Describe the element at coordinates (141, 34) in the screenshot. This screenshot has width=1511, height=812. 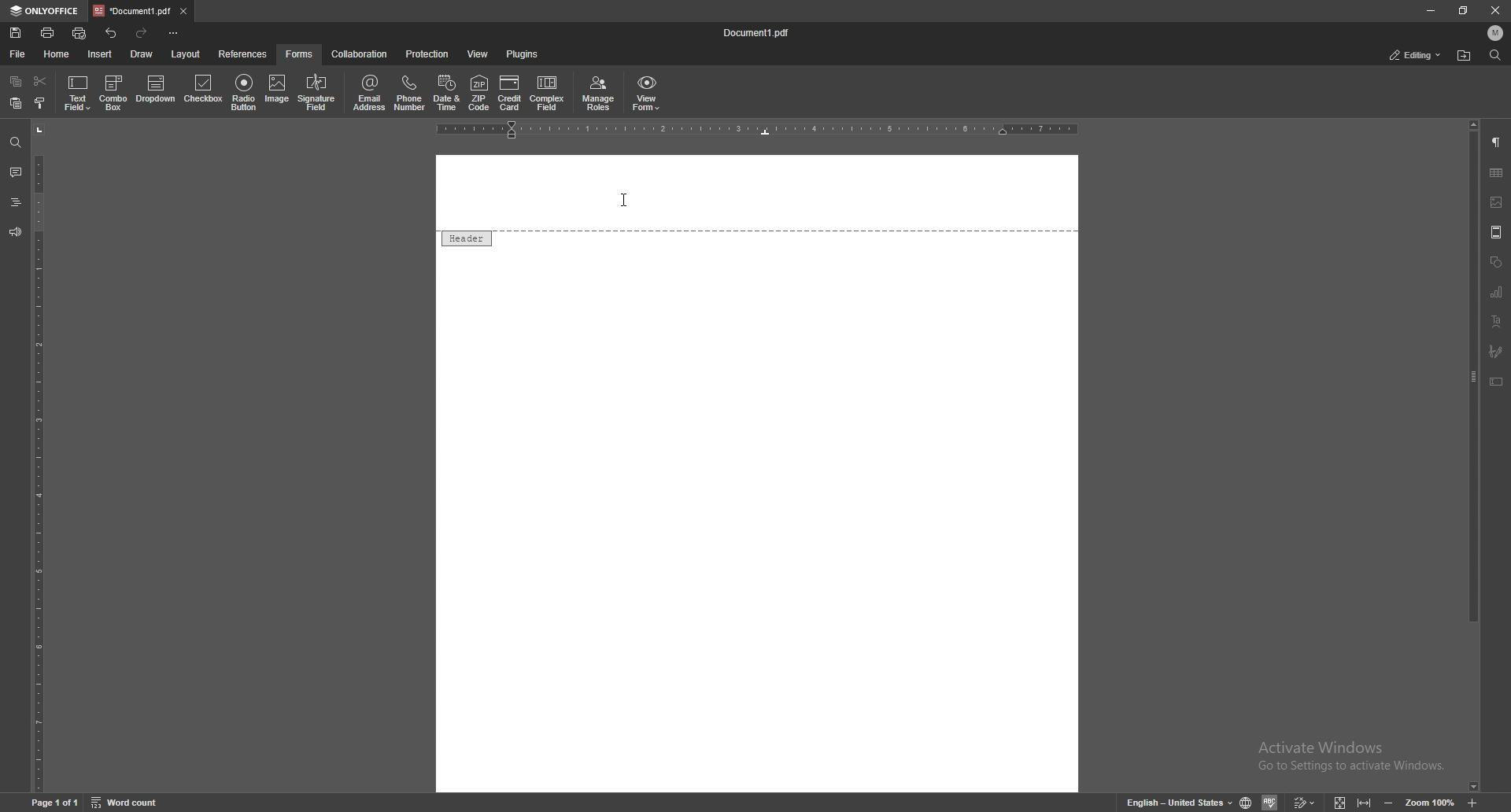
I see `redo` at that location.